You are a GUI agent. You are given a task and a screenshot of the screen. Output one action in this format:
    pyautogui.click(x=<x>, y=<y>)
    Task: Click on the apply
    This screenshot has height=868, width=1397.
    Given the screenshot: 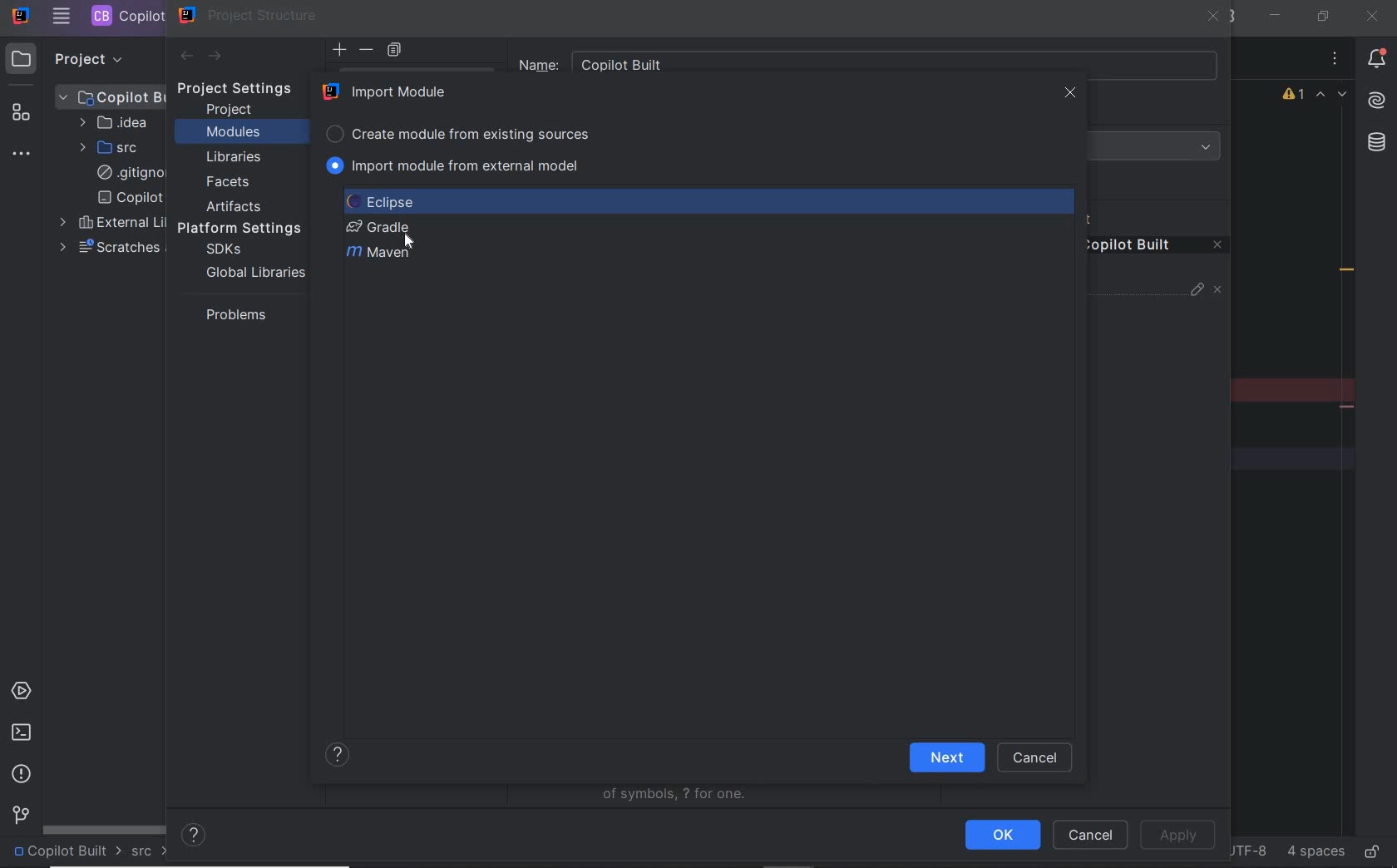 What is the action you would take?
    pyautogui.click(x=1177, y=836)
    